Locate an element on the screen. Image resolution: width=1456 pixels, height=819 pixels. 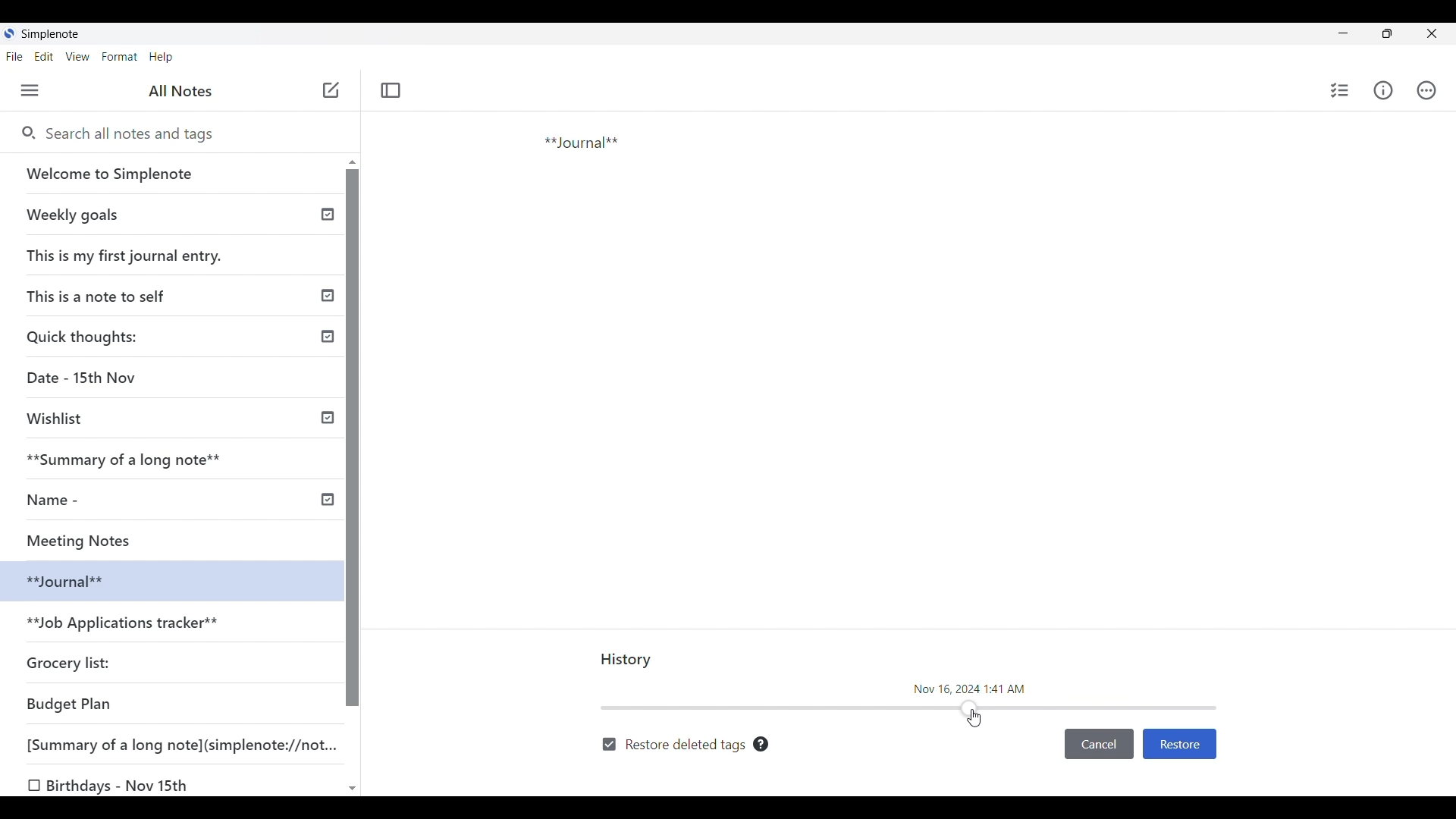
Title of current panel is located at coordinates (627, 661).